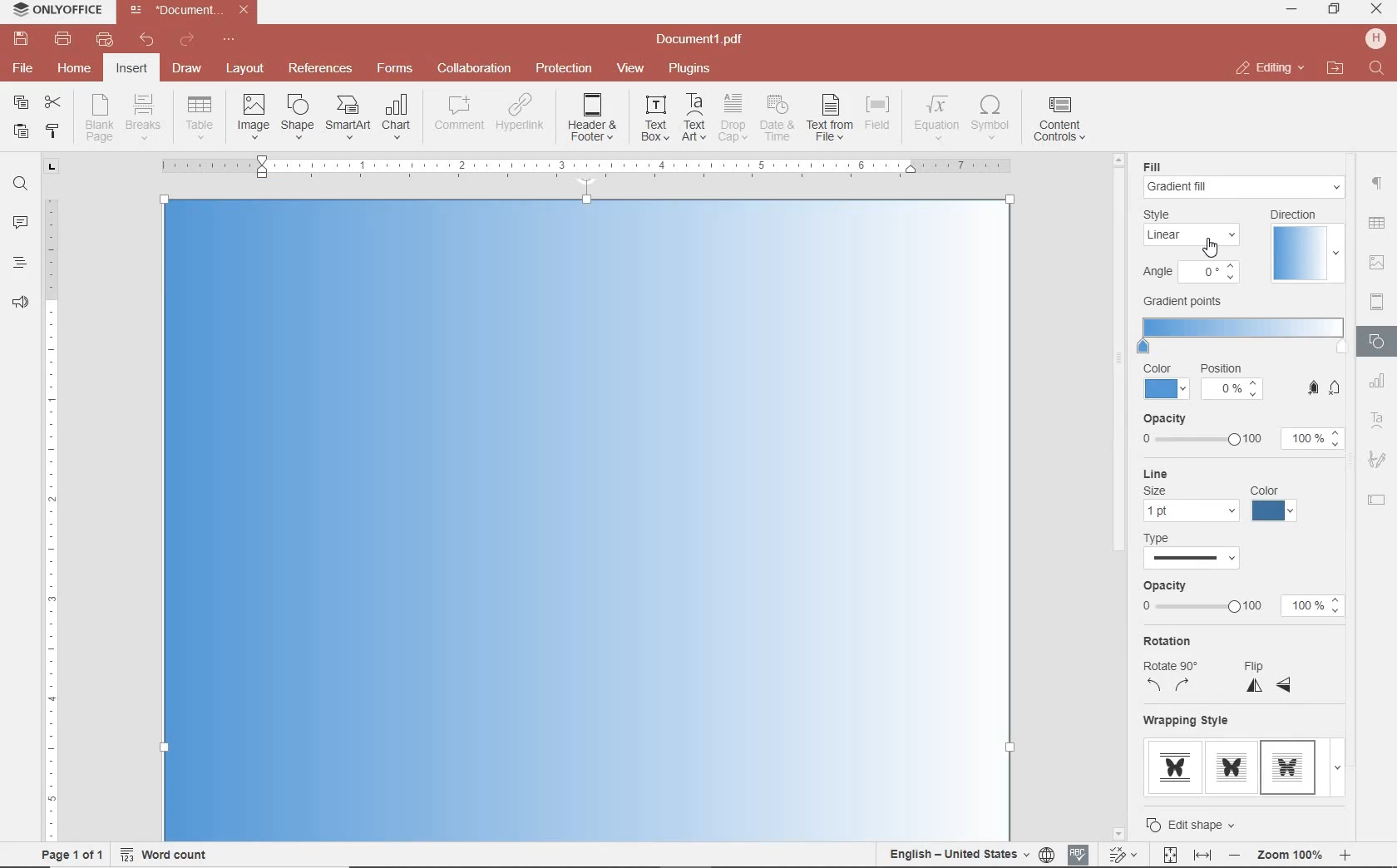  Describe the element at coordinates (704, 40) in the screenshot. I see `file name` at that location.